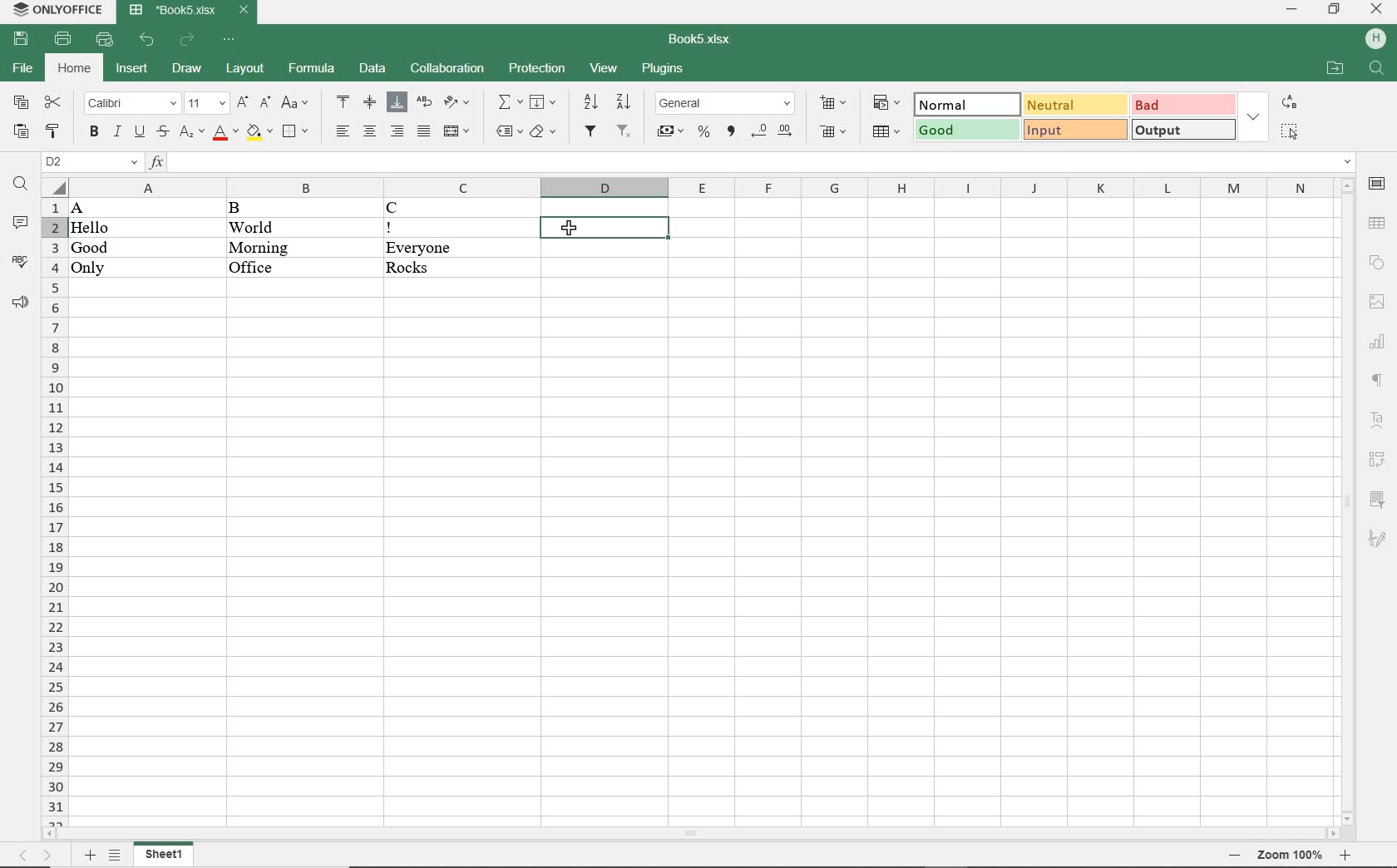  What do you see at coordinates (19, 224) in the screenshot?
I see `COMMENTS` at bounding box center [19, 224].